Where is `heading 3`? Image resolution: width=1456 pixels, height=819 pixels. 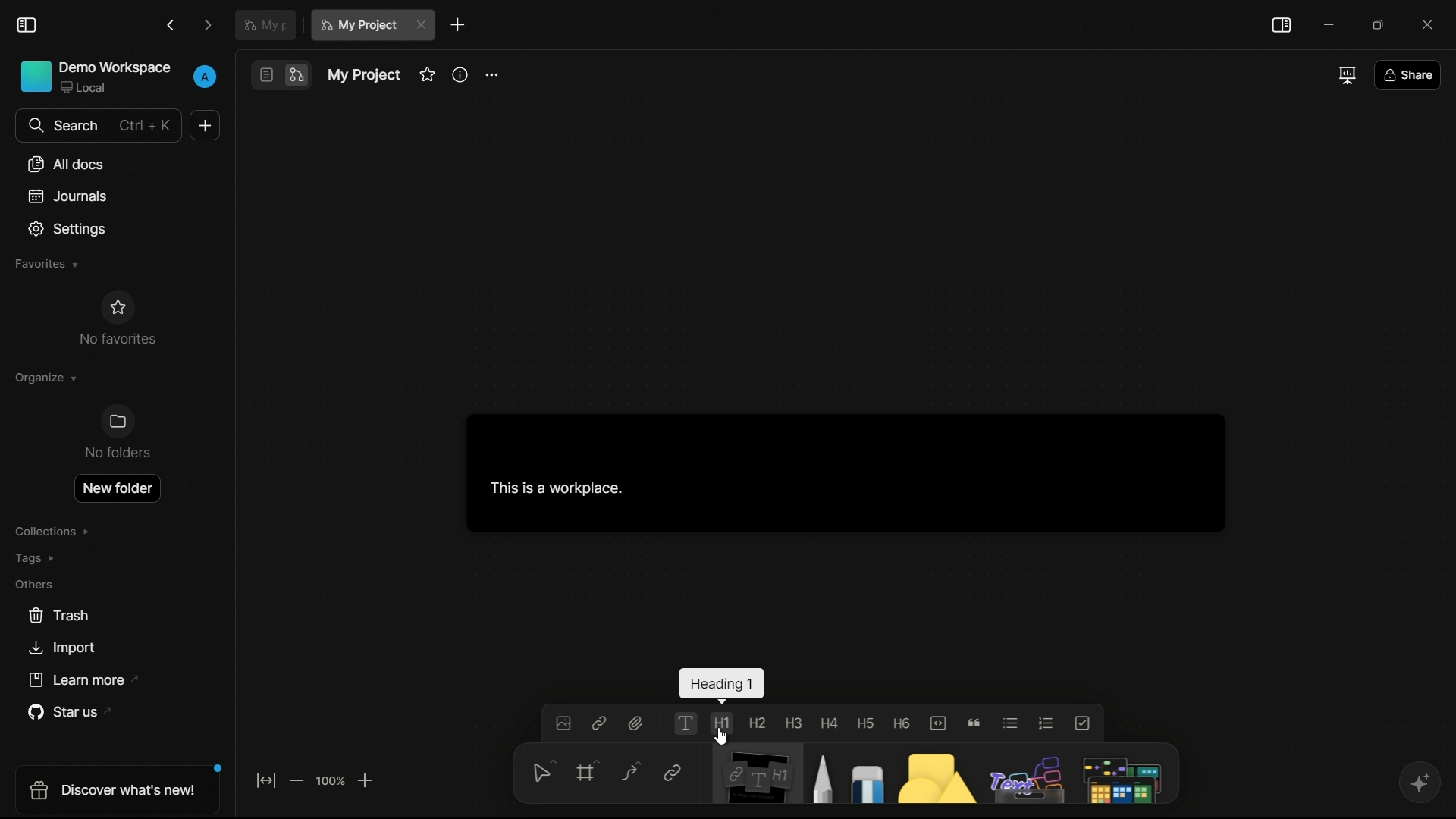
heading 3 is located at coordinates (793, 723).